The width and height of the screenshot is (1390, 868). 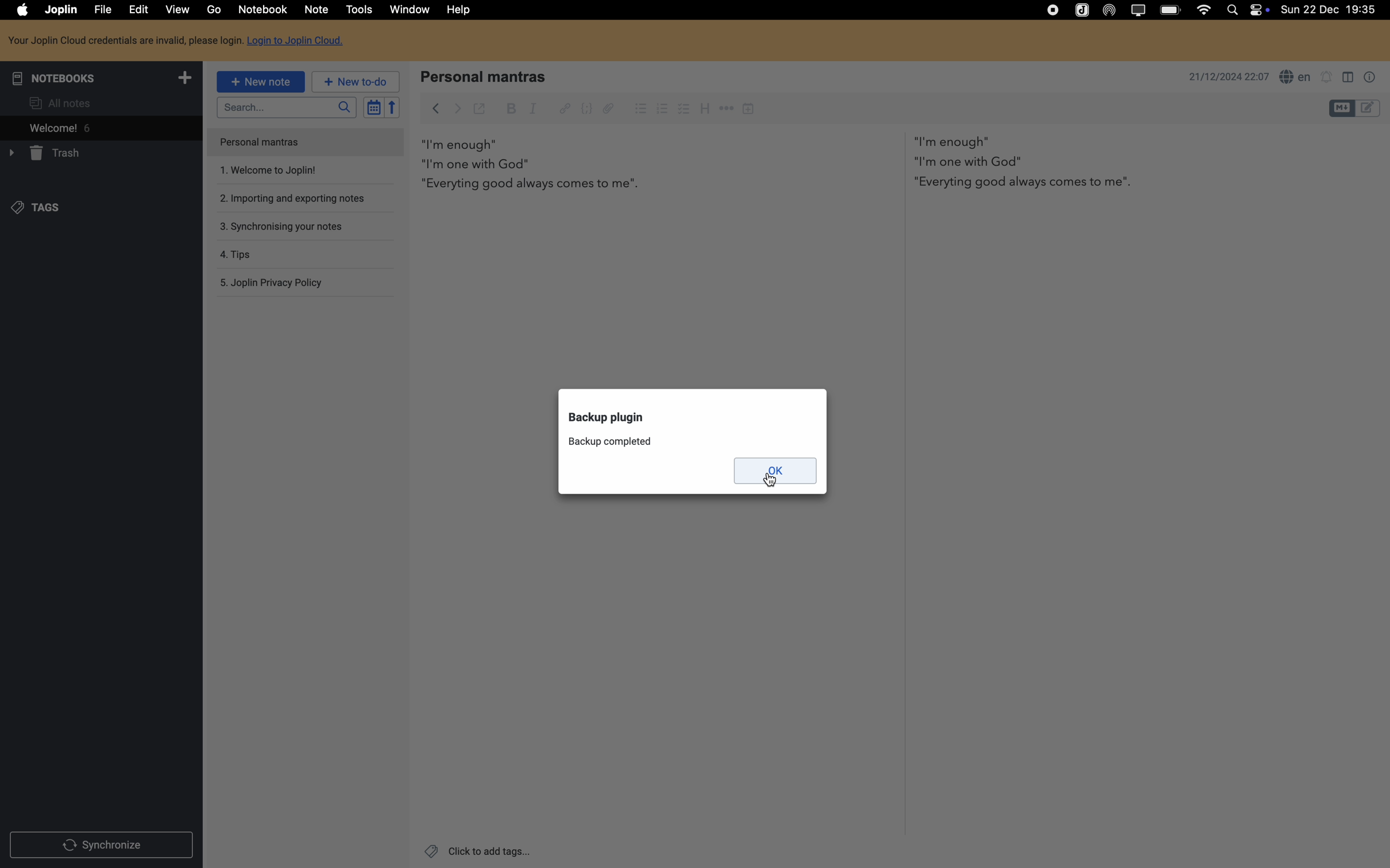 What do you see at coordinates (661, 108) in the screenshot?
I see `numbered list` at bounding box center [661, 108].